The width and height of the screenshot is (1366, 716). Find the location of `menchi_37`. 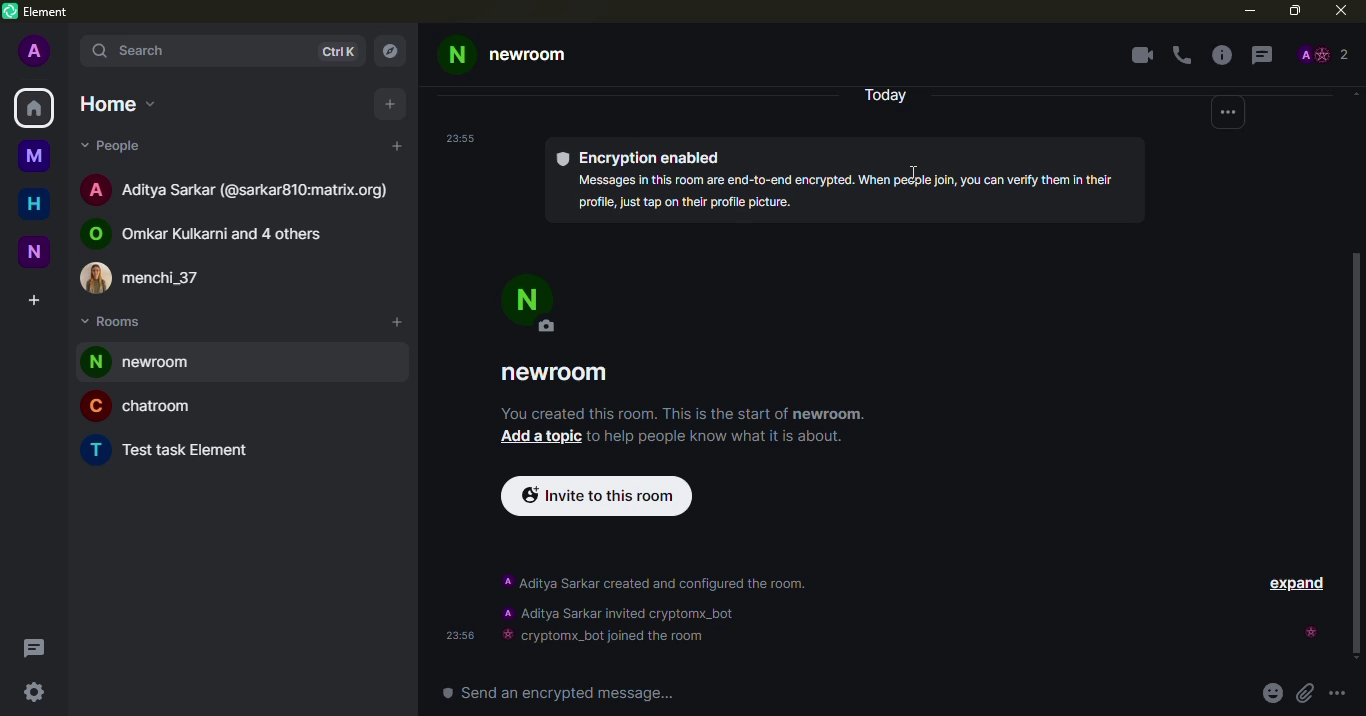

menchi_37 is located at coordinates (140, 280).